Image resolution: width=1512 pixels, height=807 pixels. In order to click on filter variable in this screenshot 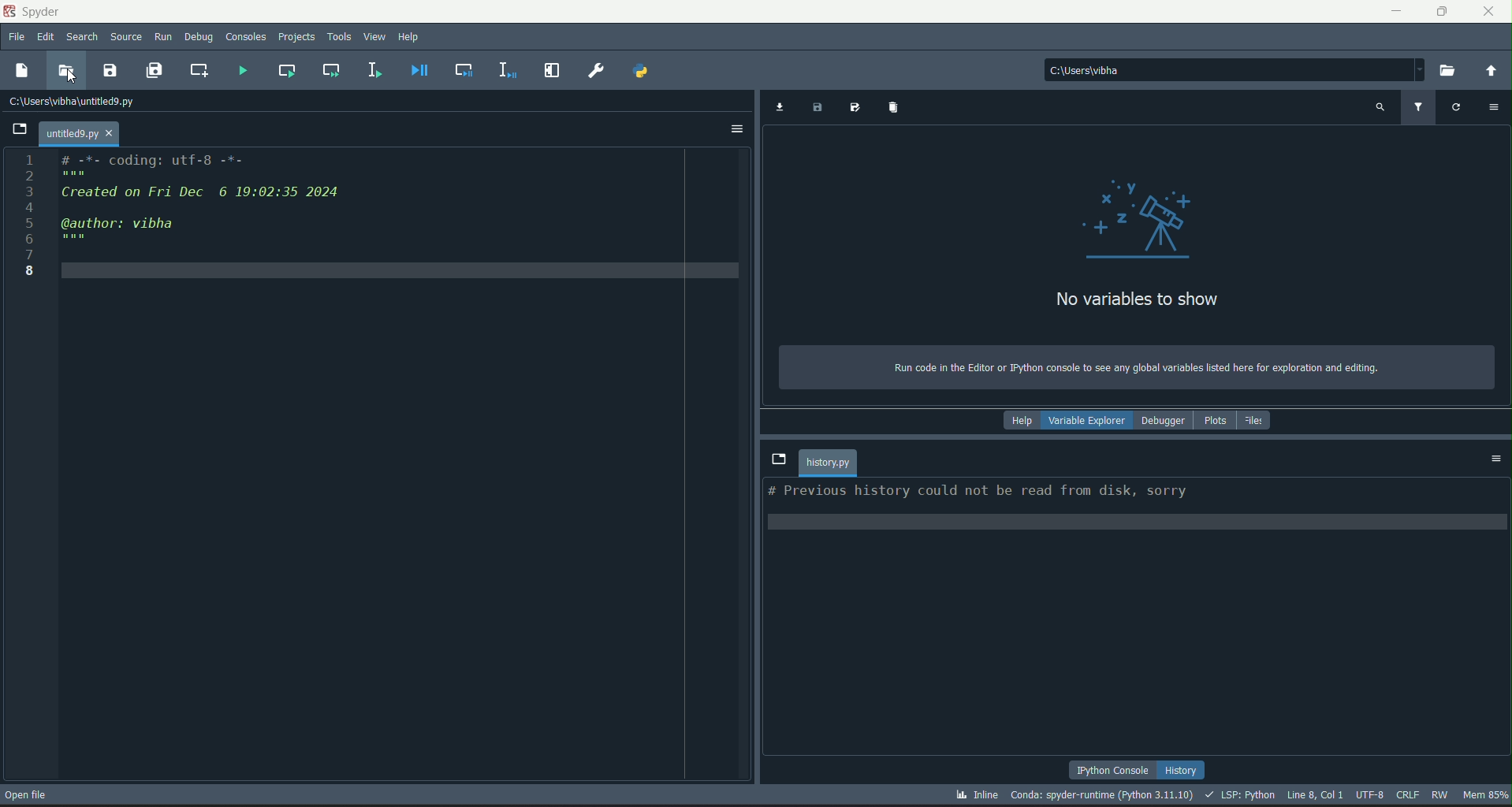, I will do `click(1419, 107)`.